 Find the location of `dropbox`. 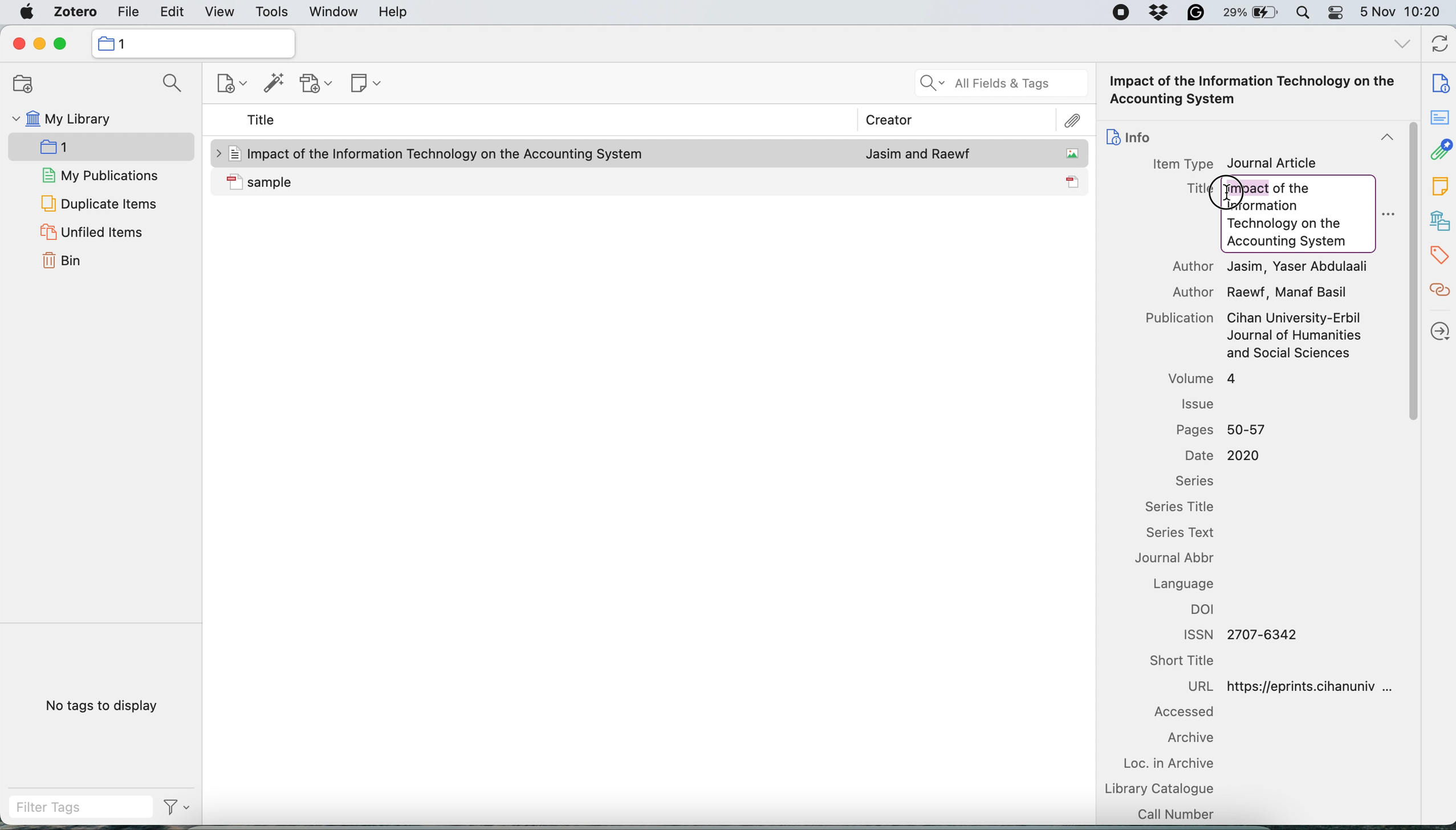

dropbox is located at coordinates (1160, 13).